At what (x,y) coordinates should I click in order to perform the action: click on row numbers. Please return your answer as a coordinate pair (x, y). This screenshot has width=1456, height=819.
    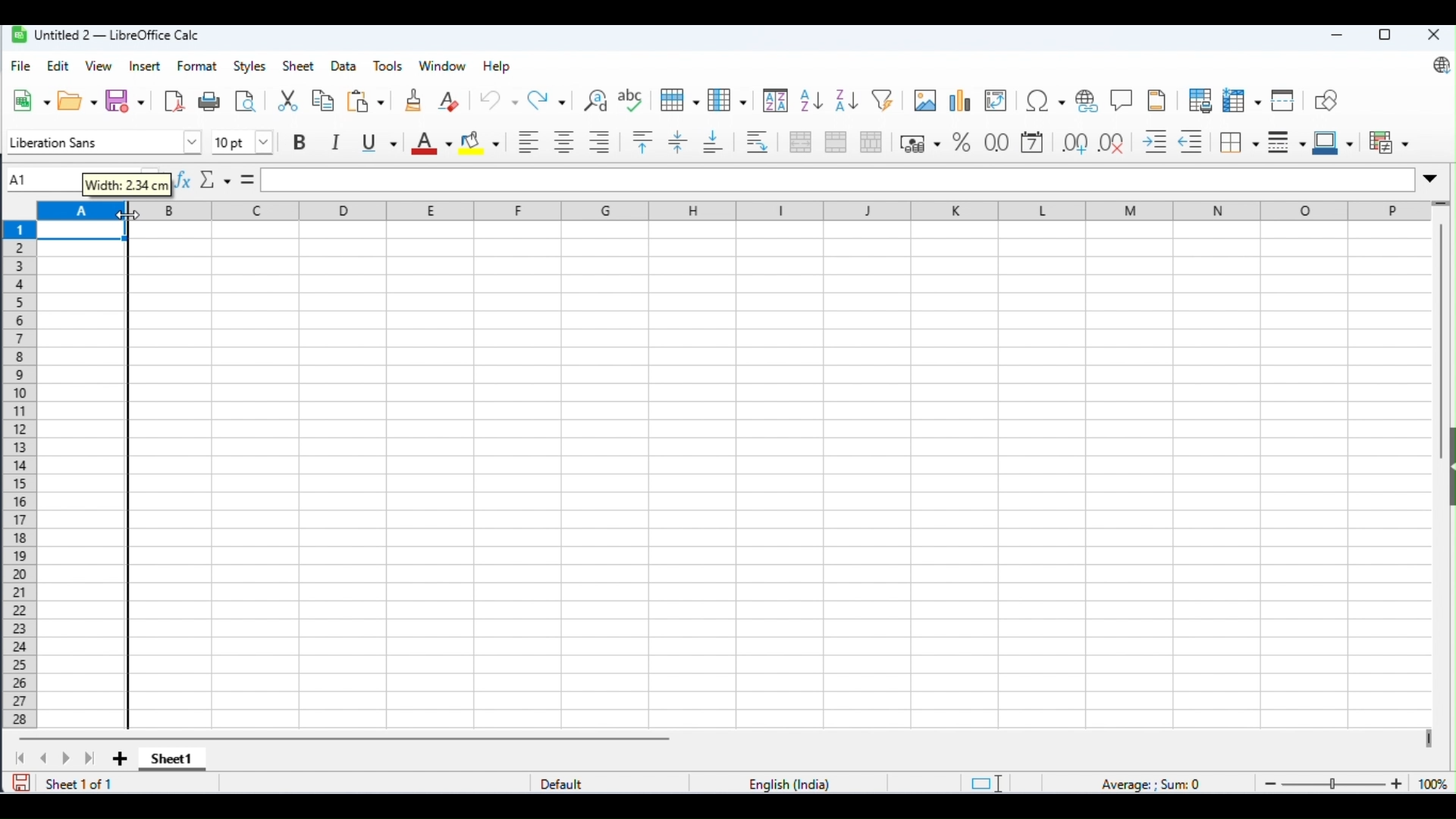
    Looking at the image, I should click on (18, 474).